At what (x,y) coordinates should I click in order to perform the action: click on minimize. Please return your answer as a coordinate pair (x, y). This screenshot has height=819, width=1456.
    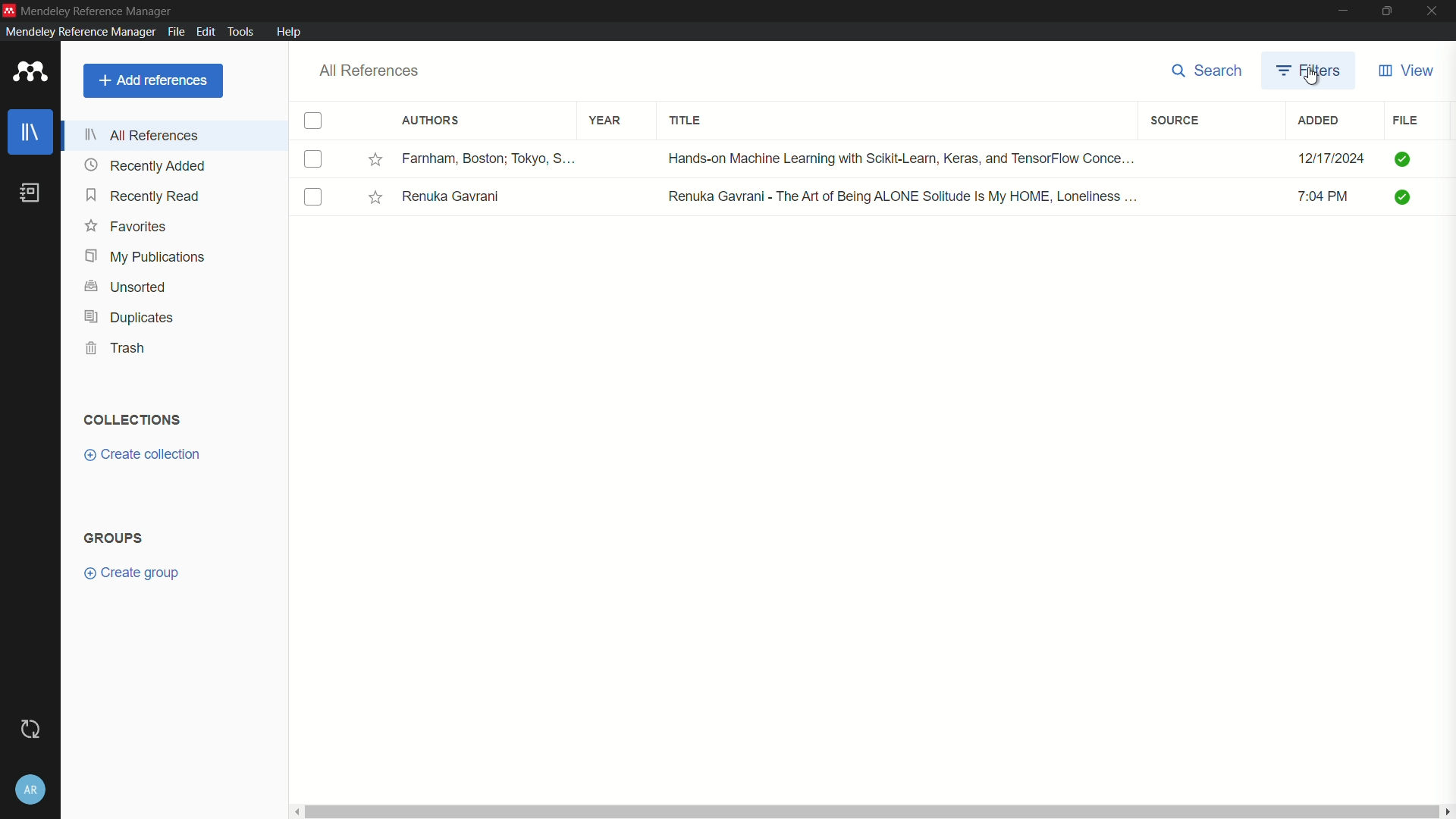
    Looking at the image, I should click on (1343, 10).